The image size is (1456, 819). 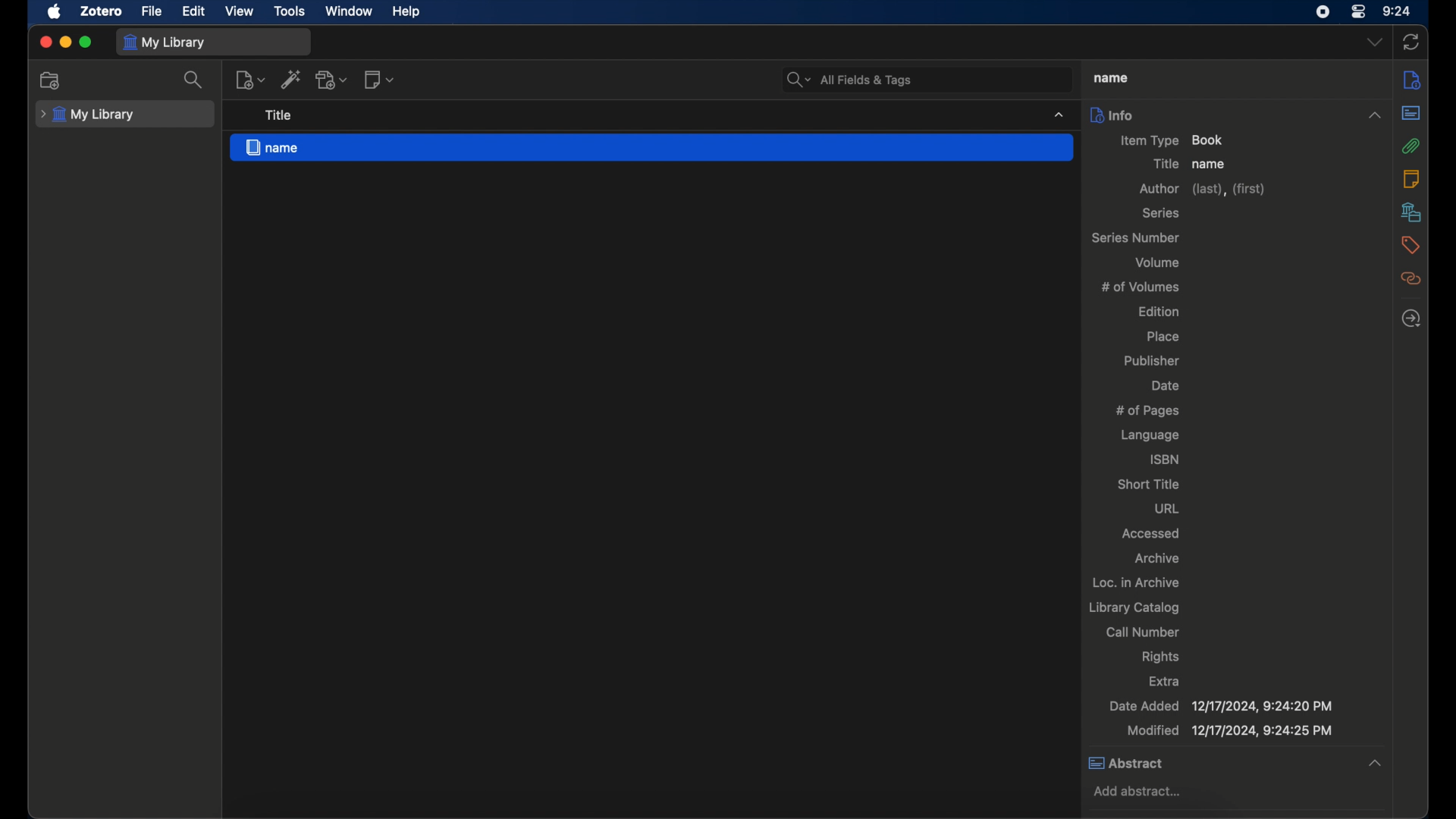 I want to click on dropdown, so click(x=1376, y=42).